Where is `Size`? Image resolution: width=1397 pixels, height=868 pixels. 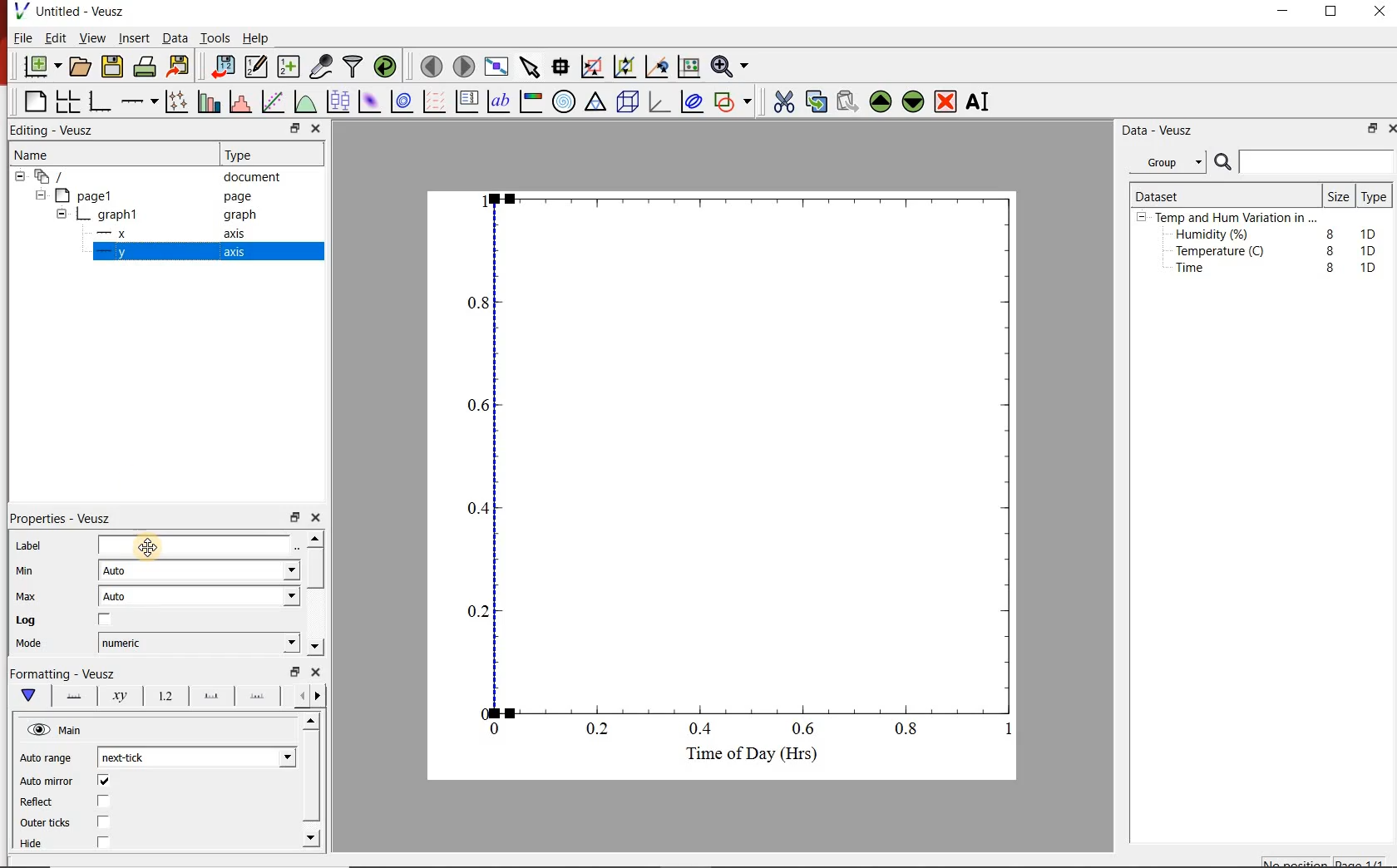 Size is located at coordinates (1337, 195).